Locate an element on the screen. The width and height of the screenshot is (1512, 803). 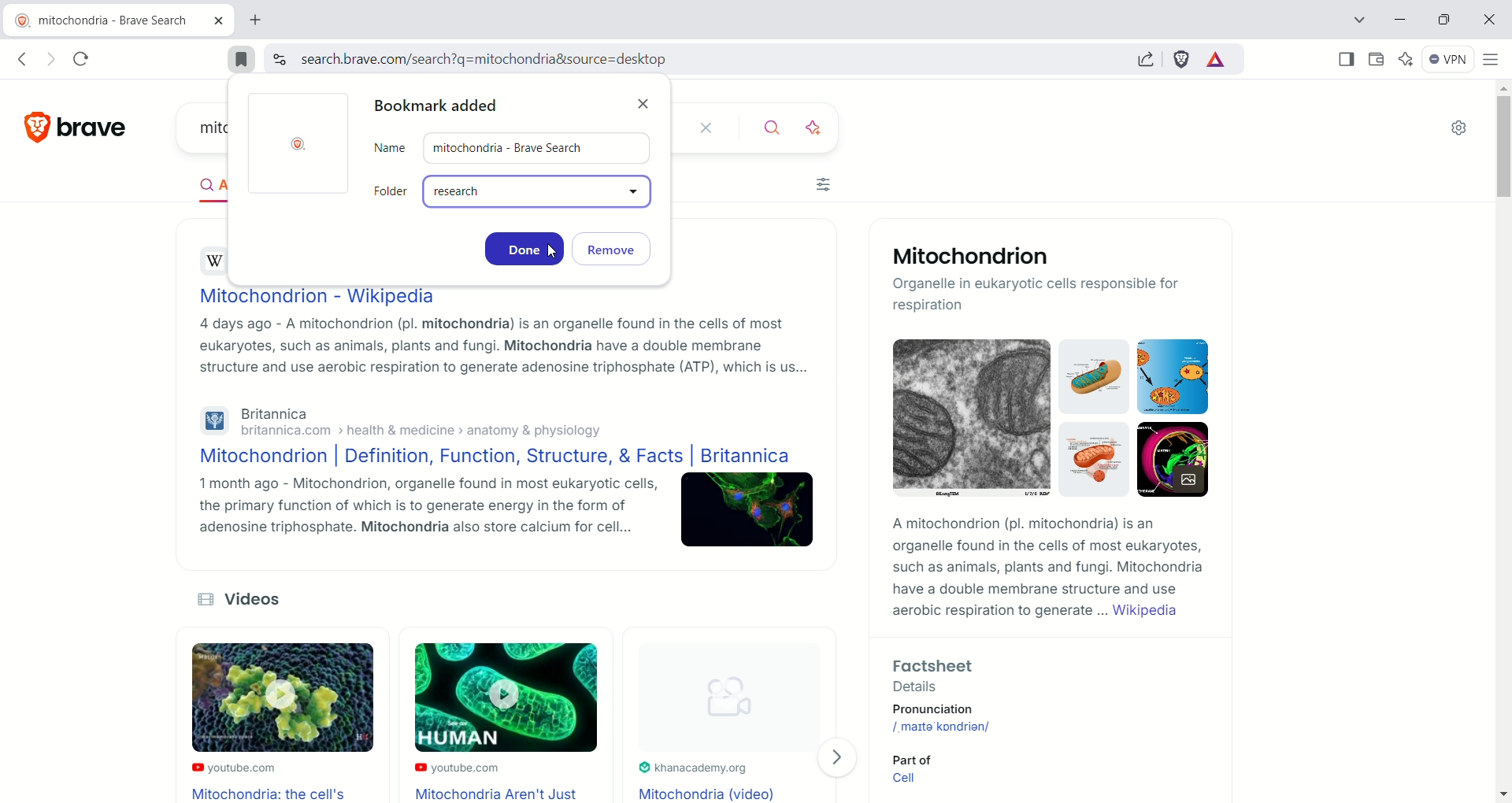
customize and control brave is located at coordinates (1492, 59).